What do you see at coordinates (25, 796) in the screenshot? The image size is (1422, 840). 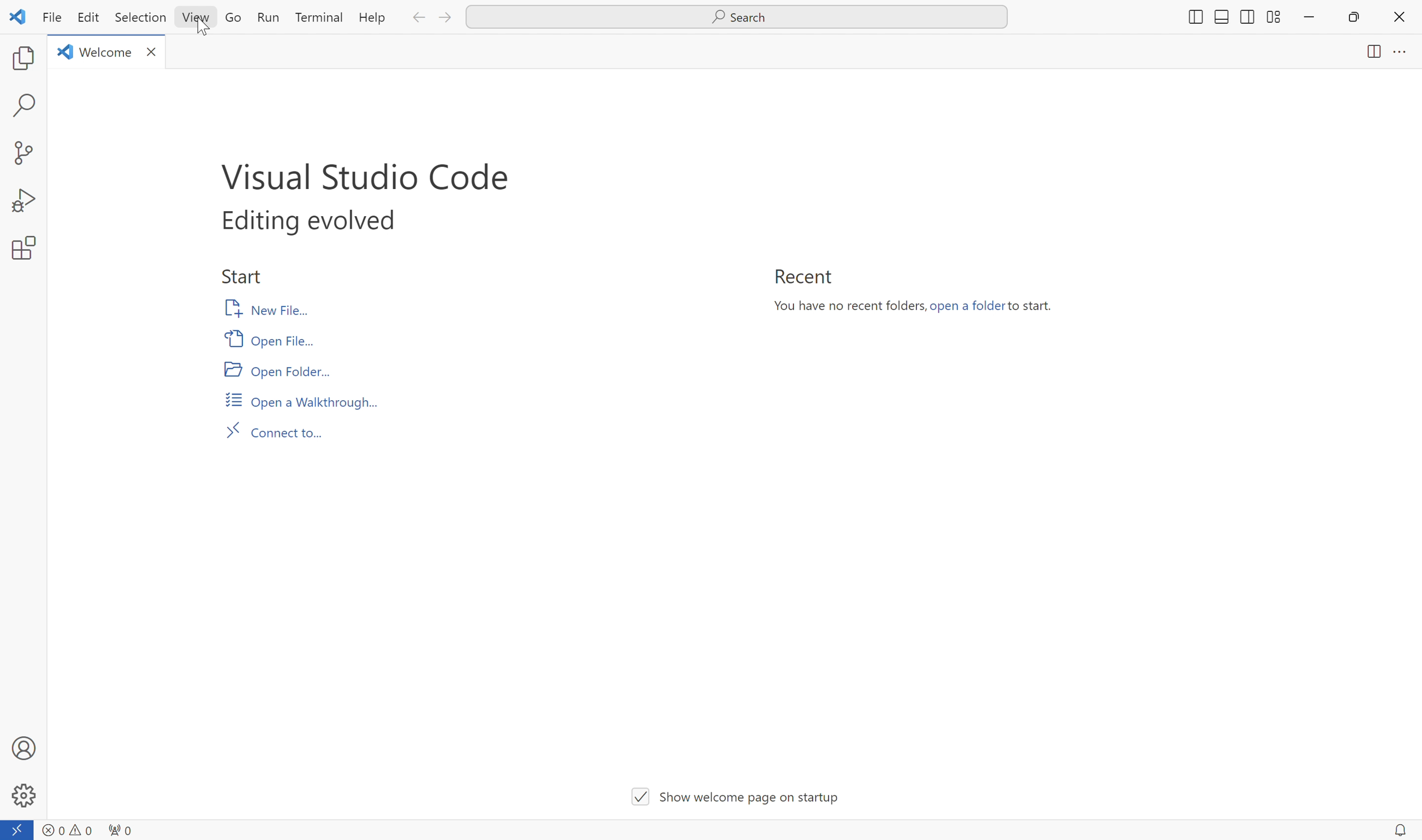 I see `settings` at bounding box center [25, 796].